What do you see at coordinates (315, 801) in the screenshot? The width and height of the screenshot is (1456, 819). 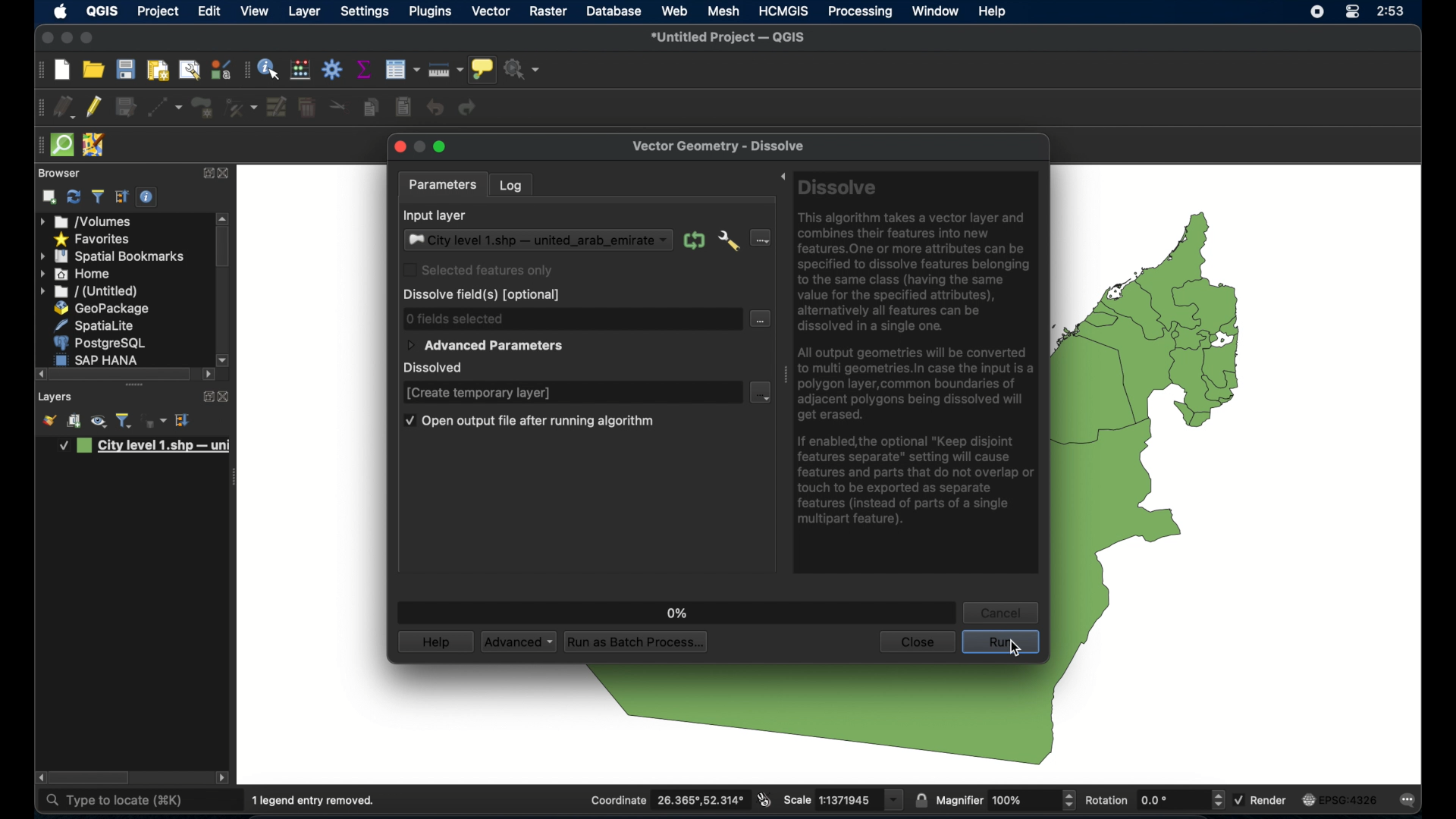 I see `1 legend entry removed` at bounding box center [315, 801].